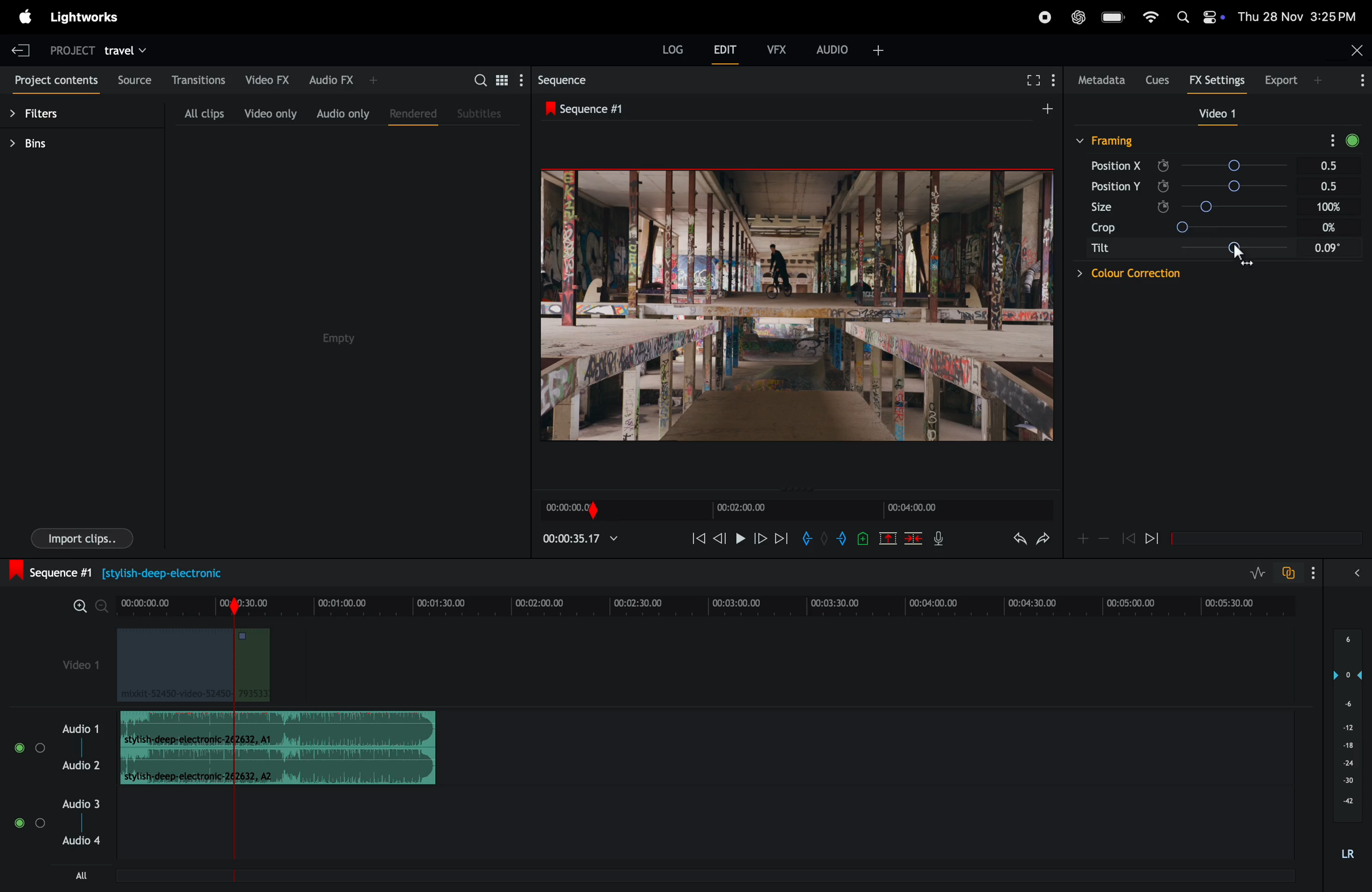  I want to click on add audio, so click(849, 54).